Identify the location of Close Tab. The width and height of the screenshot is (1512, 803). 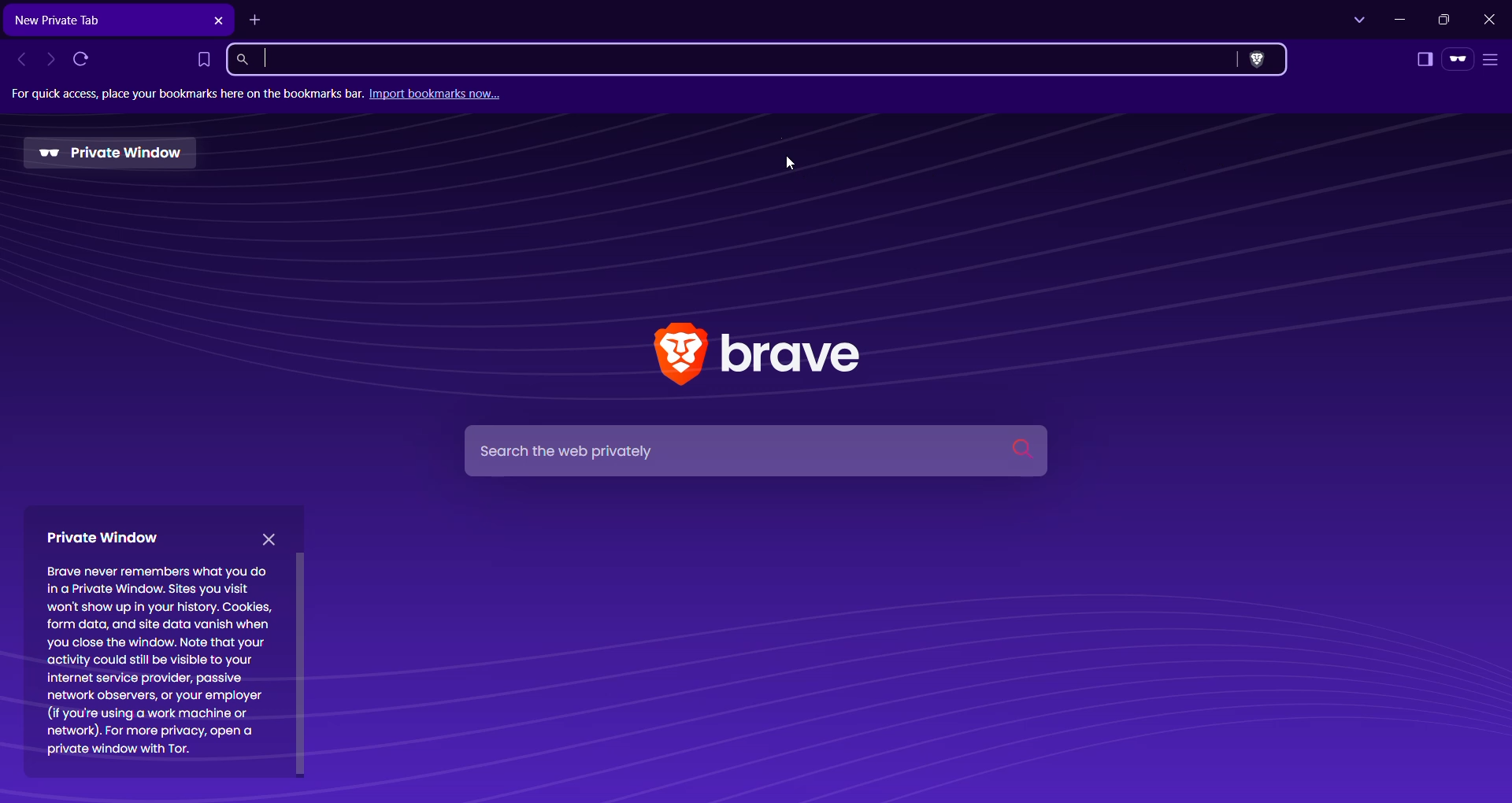
(213, 20).